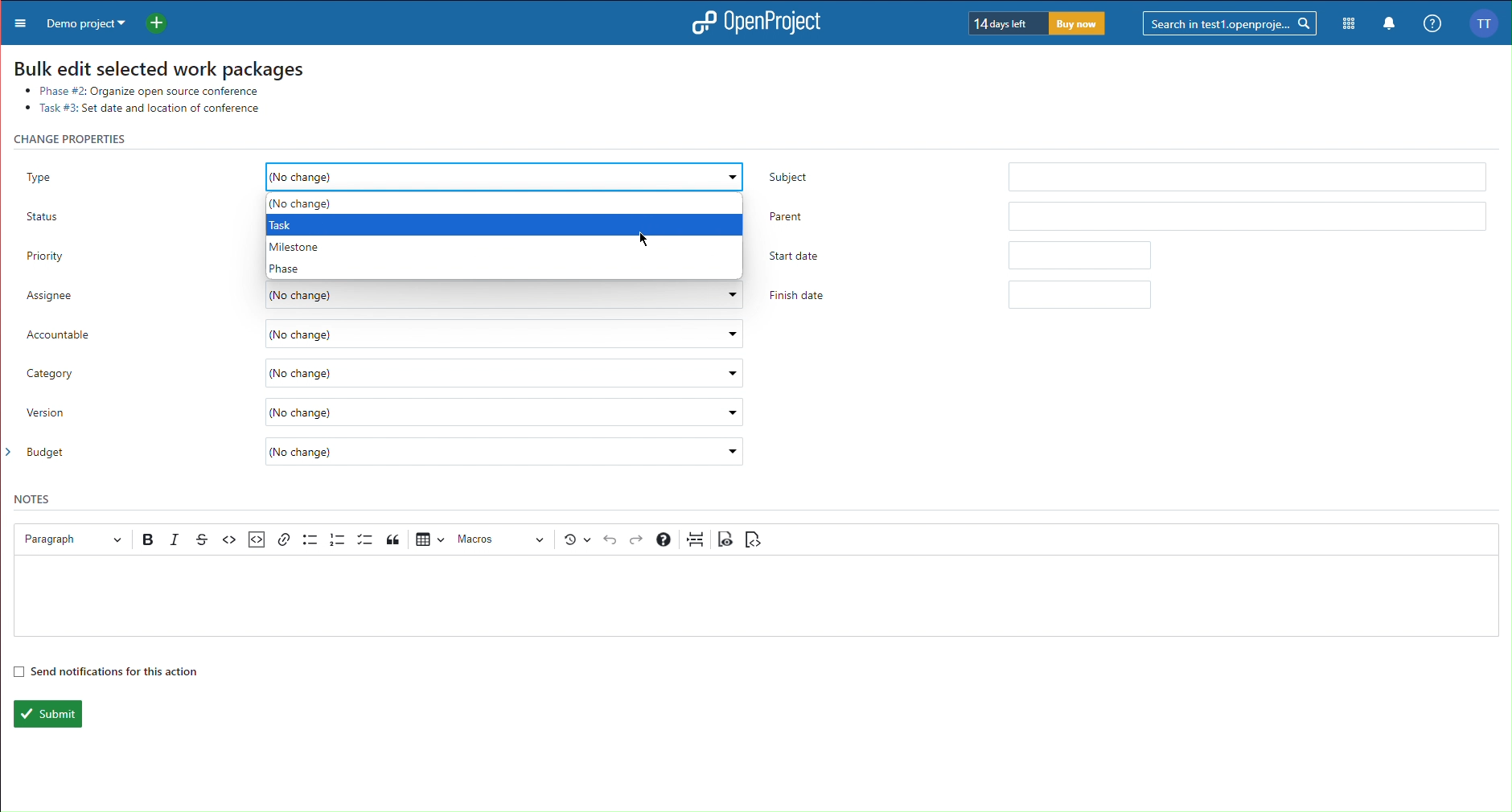 This screenshot has height=812, width=1512. What do you see at coordinates (158, 68) in the screenshot?
I see `Bulk edit selected work packages` at bounding box center [158, 68].